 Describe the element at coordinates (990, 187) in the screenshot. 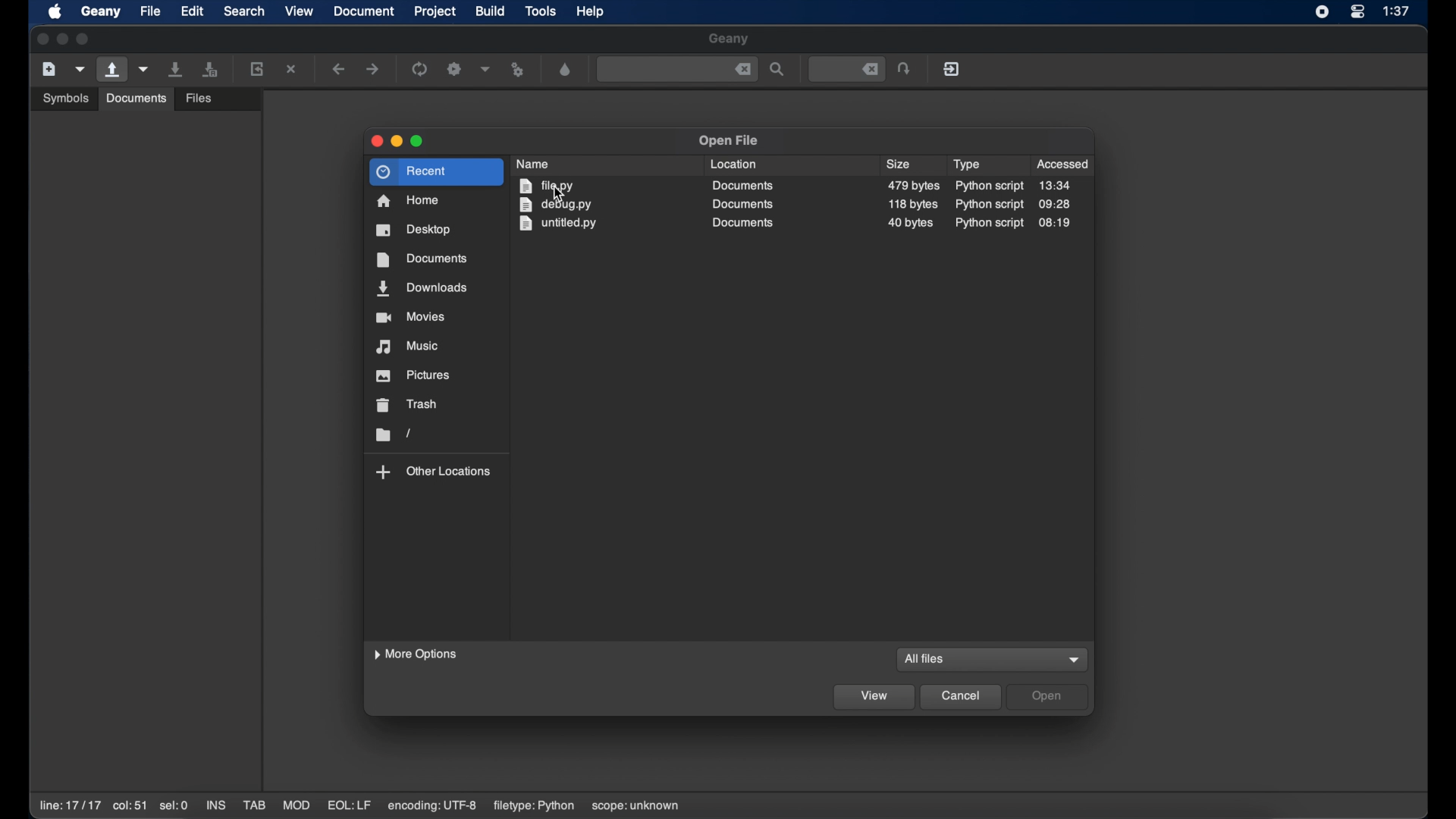

I see `python script` at that location.